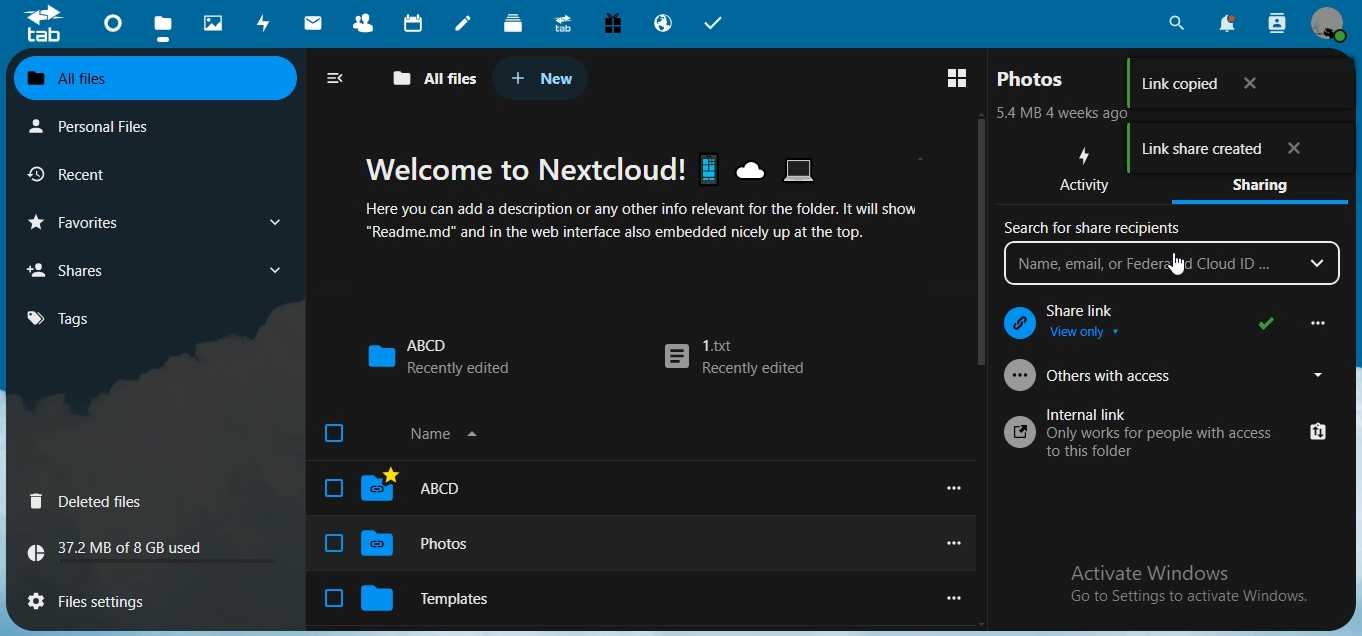 The height and width of the screenshot is (636, 1362). Describe the element at coordinates (216, 24) in the screenshot. I see `photos` at that location.